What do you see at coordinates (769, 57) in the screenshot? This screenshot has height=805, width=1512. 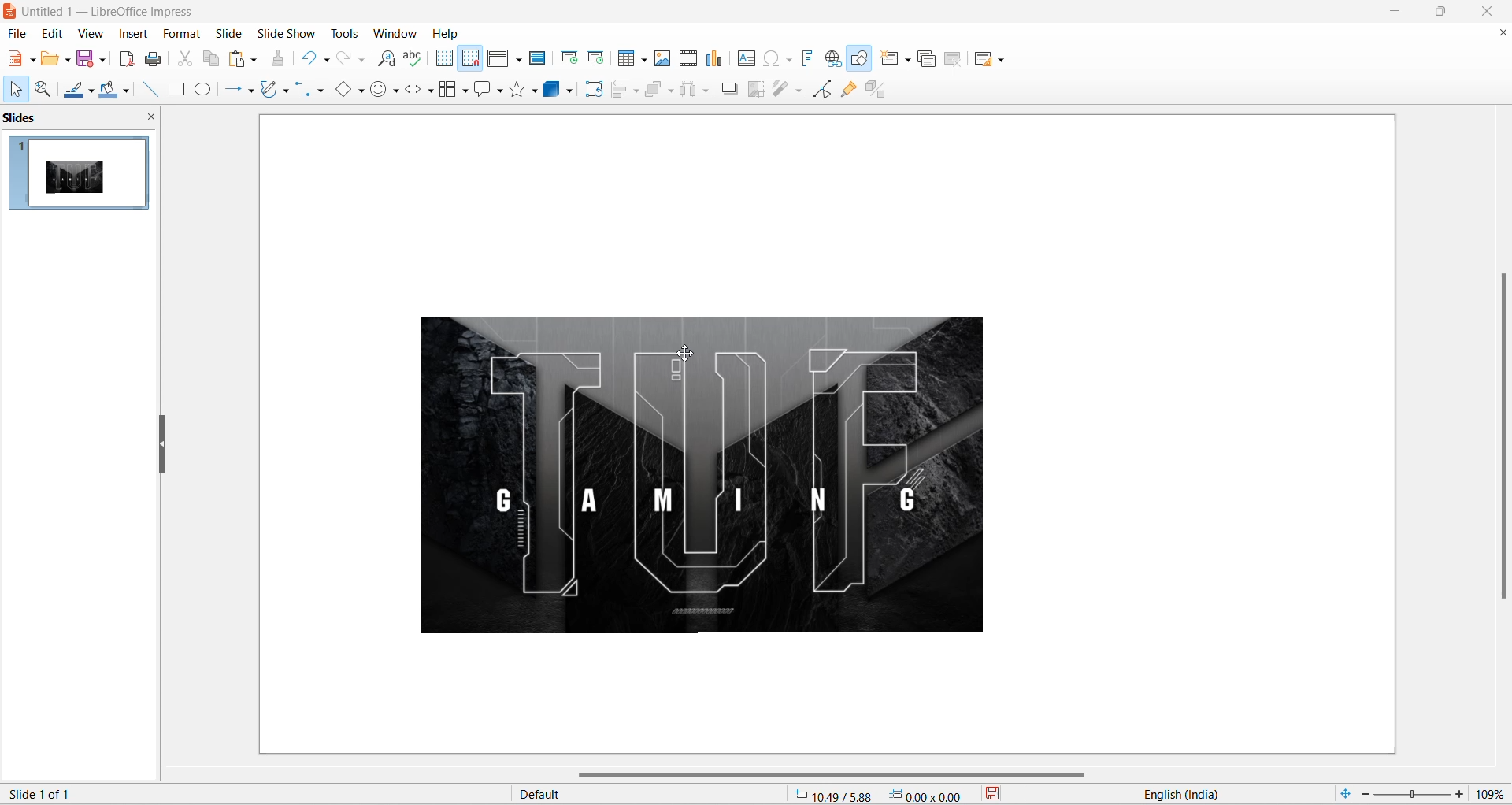 I see `insert special characters` at bounding box center [769, 57].